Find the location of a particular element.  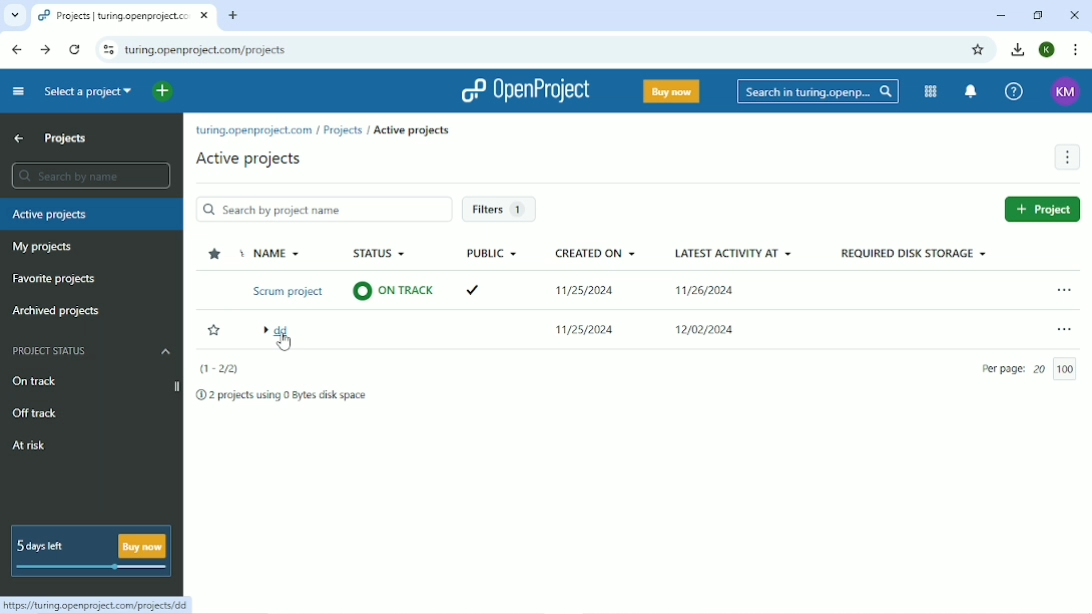

To notification center is located at coordinates (971, 91).